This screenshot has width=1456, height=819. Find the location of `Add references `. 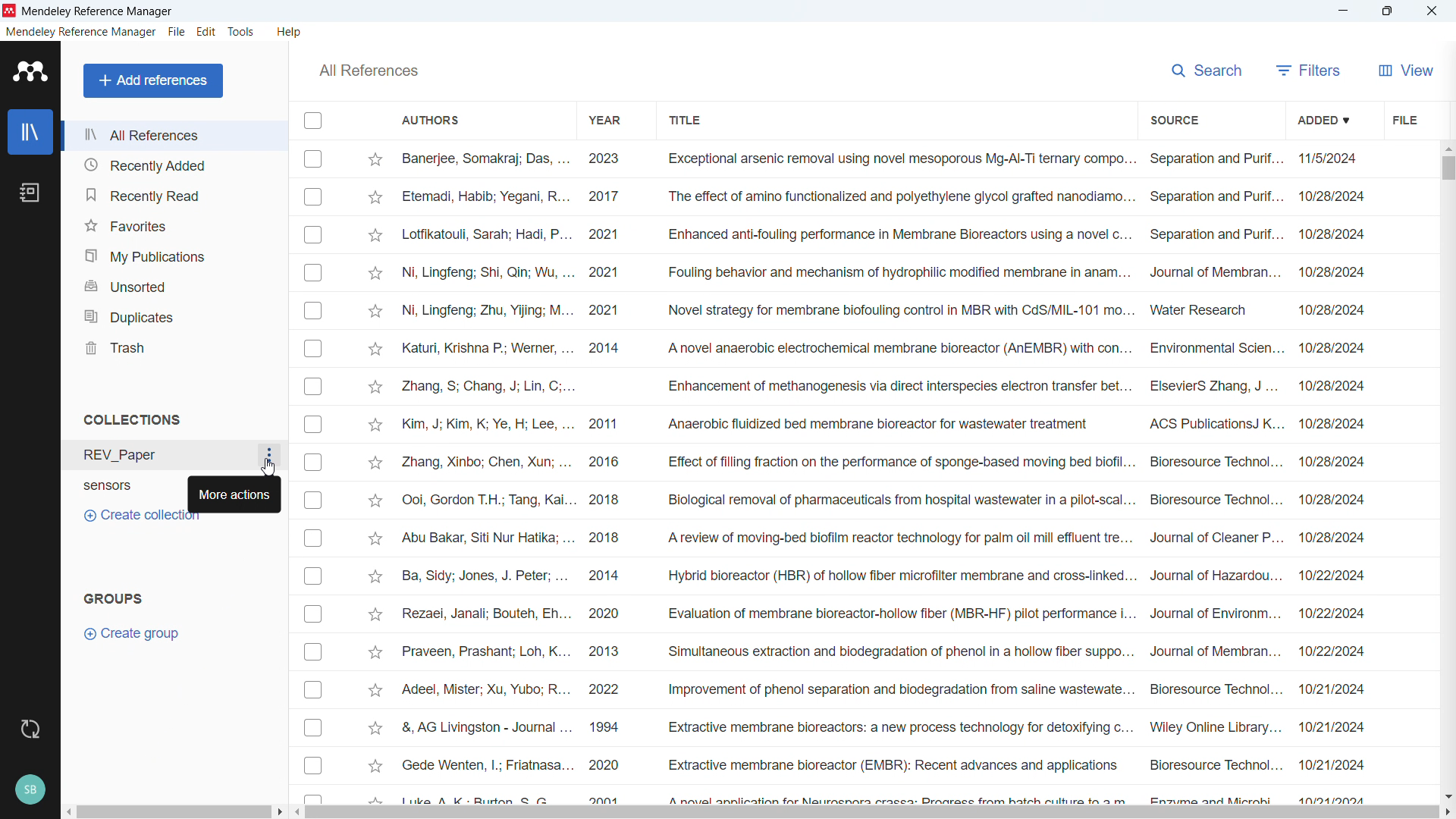

Add references  is located at coordinates (152, 80).